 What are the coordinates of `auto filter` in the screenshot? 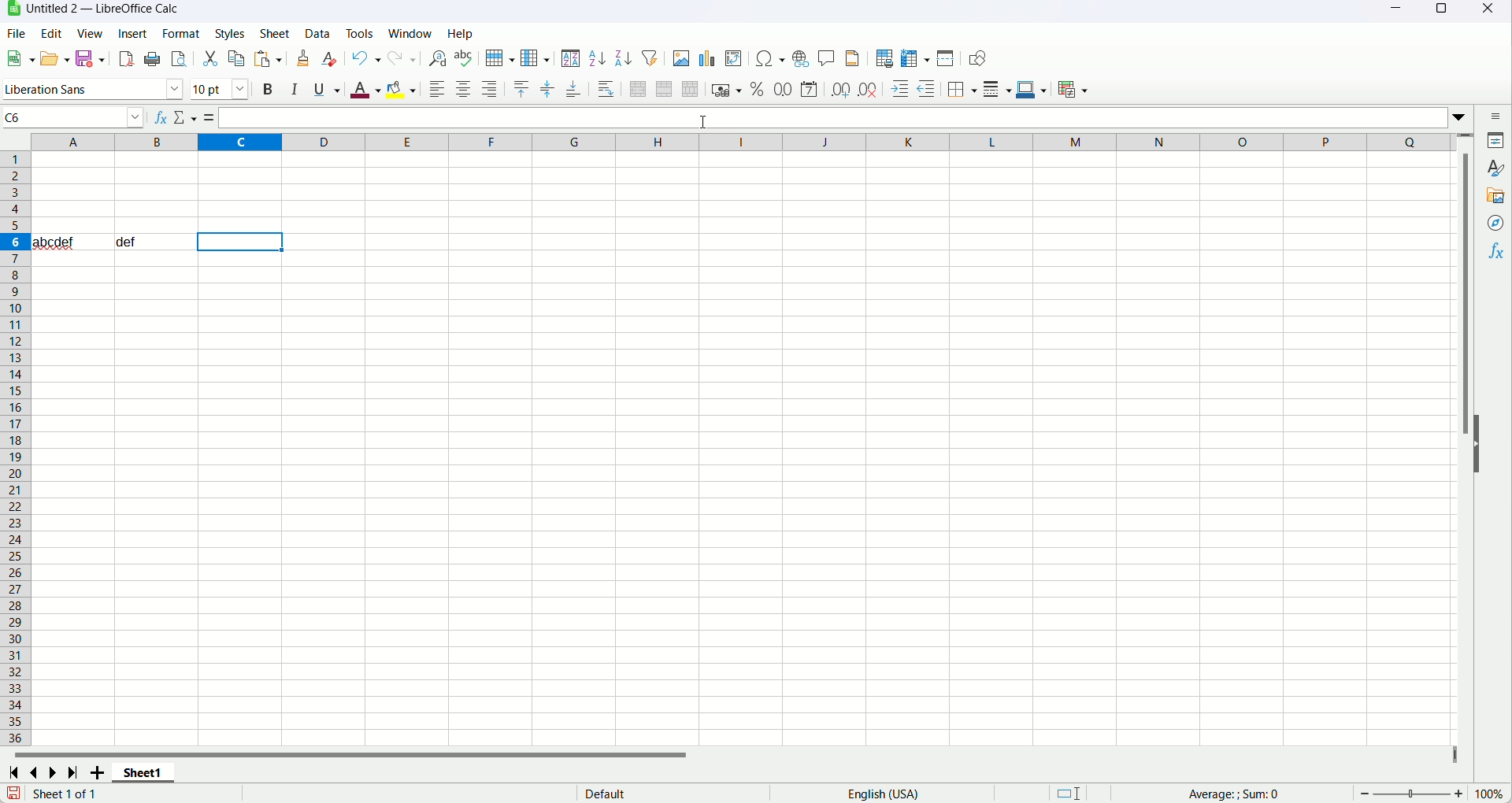 It's located at (651, 58).